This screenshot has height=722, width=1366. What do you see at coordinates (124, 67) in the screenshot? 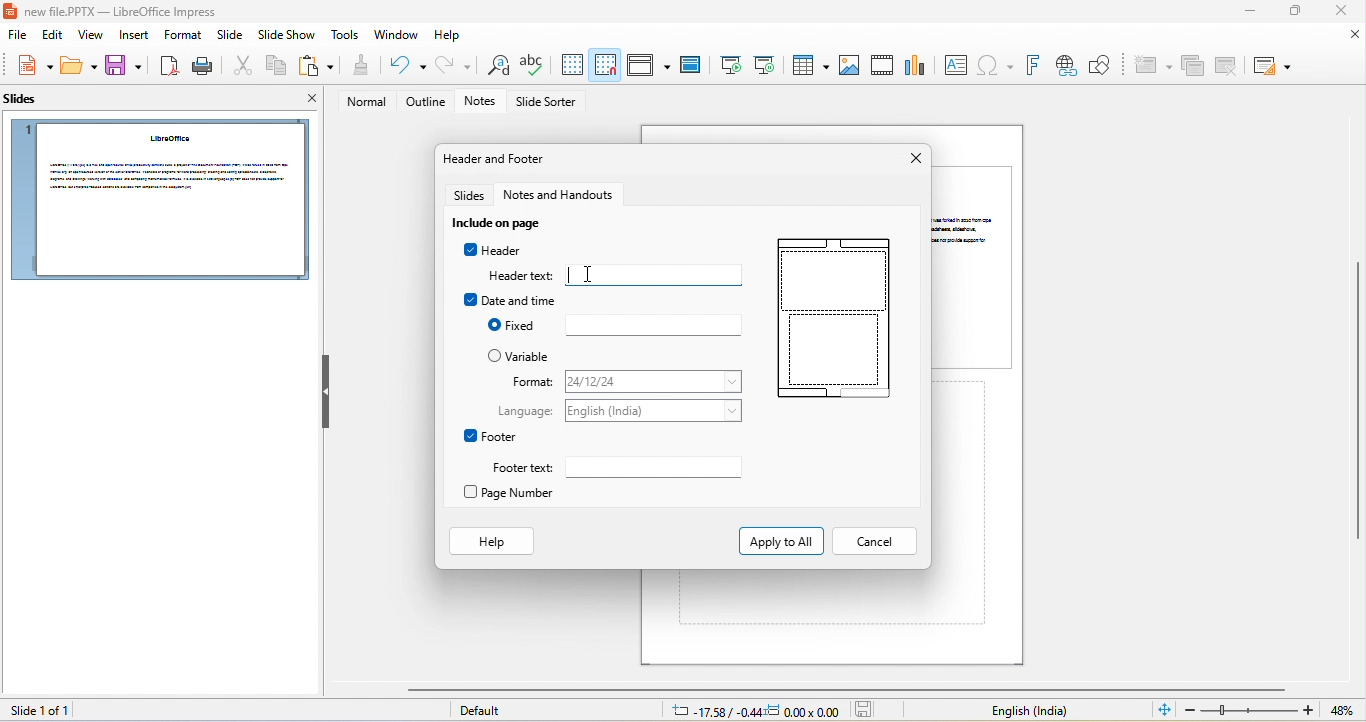
I see `save` at bounding box center [124, 67].